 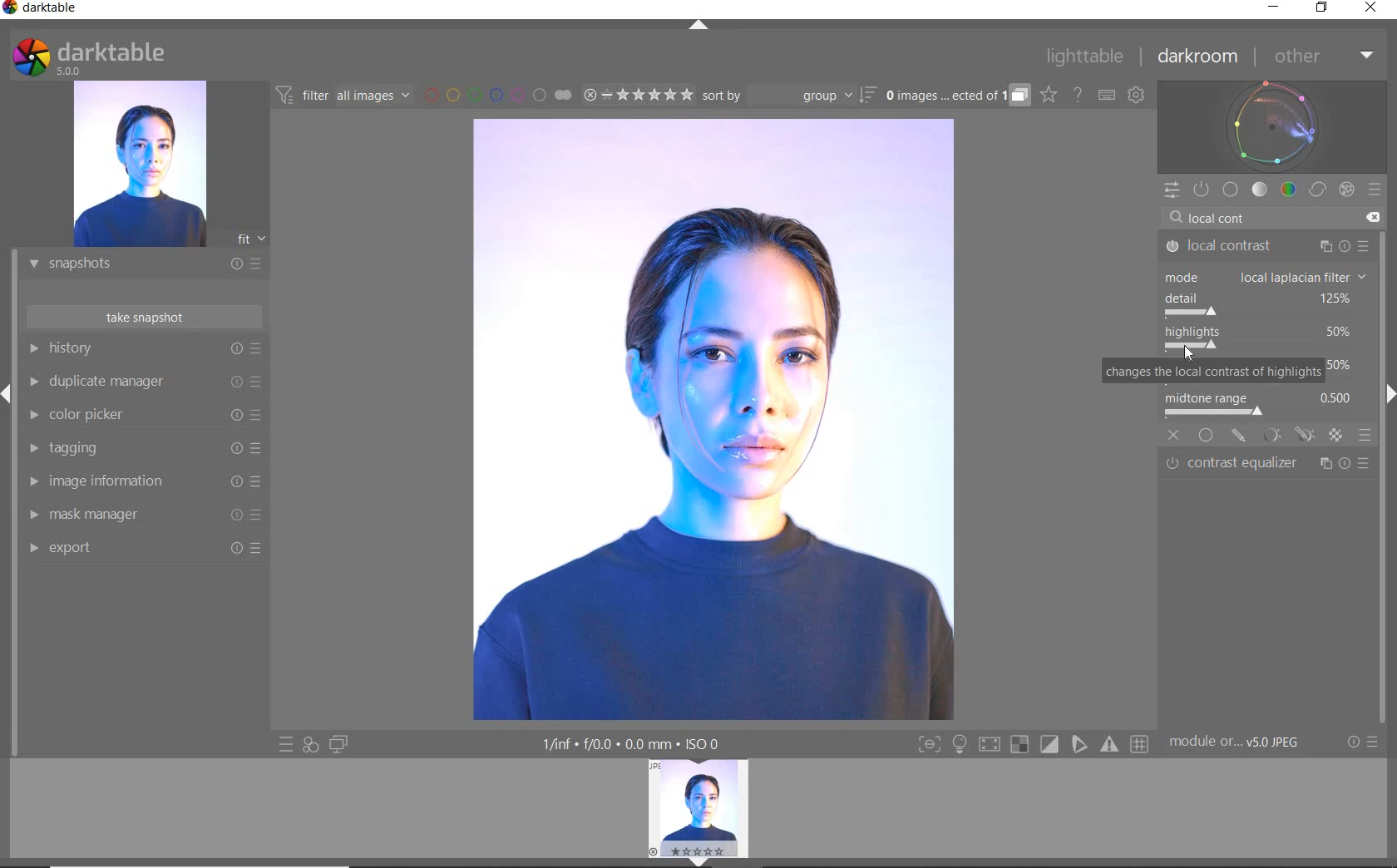 What do you see at coordinates (1273, 437) in the screenshot?
I see `MASK OPTION` at bounding box center [1273, 437].